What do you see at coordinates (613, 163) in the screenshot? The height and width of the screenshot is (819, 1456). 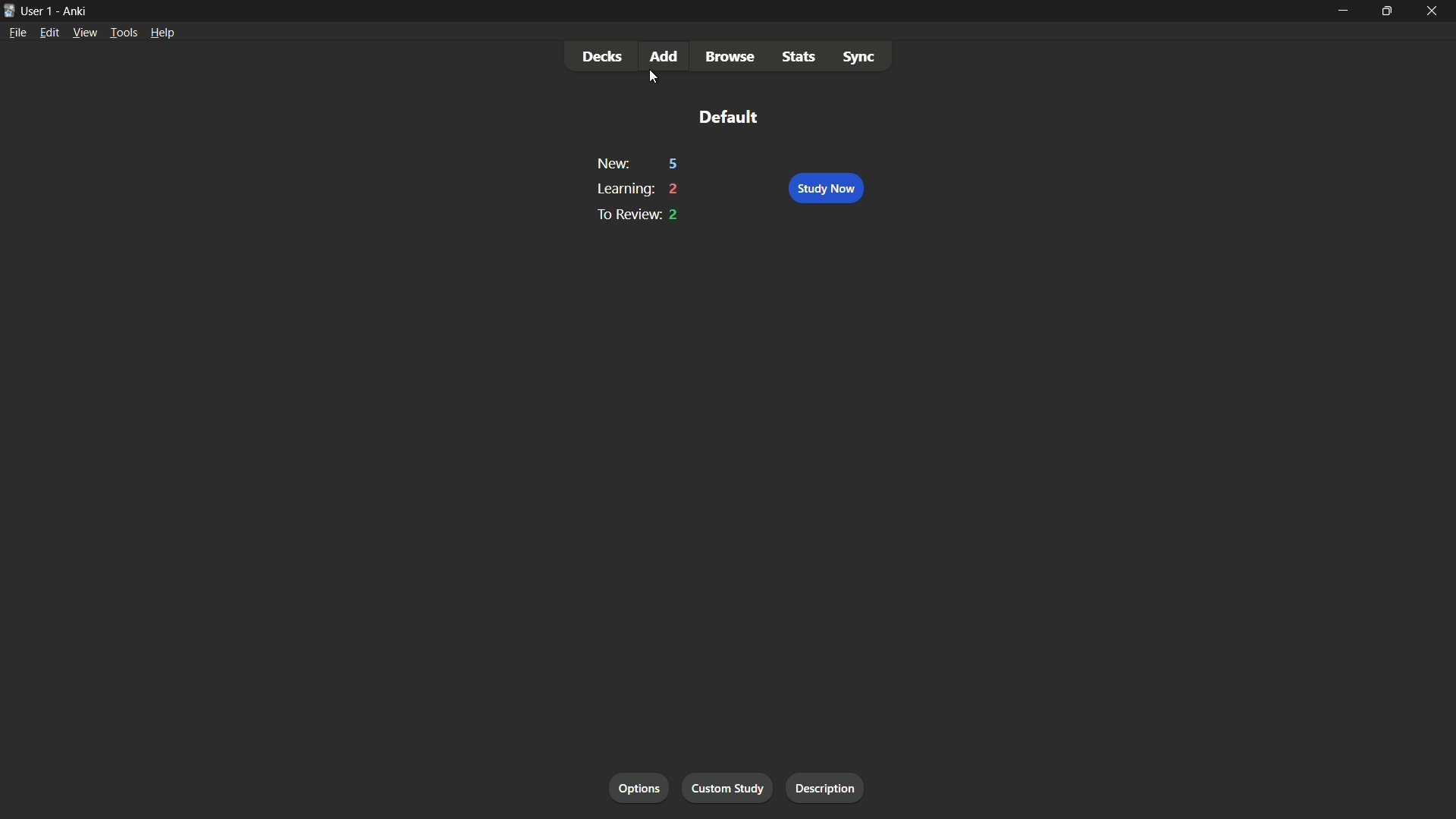 I see `new` at bounding box center [613, 163].